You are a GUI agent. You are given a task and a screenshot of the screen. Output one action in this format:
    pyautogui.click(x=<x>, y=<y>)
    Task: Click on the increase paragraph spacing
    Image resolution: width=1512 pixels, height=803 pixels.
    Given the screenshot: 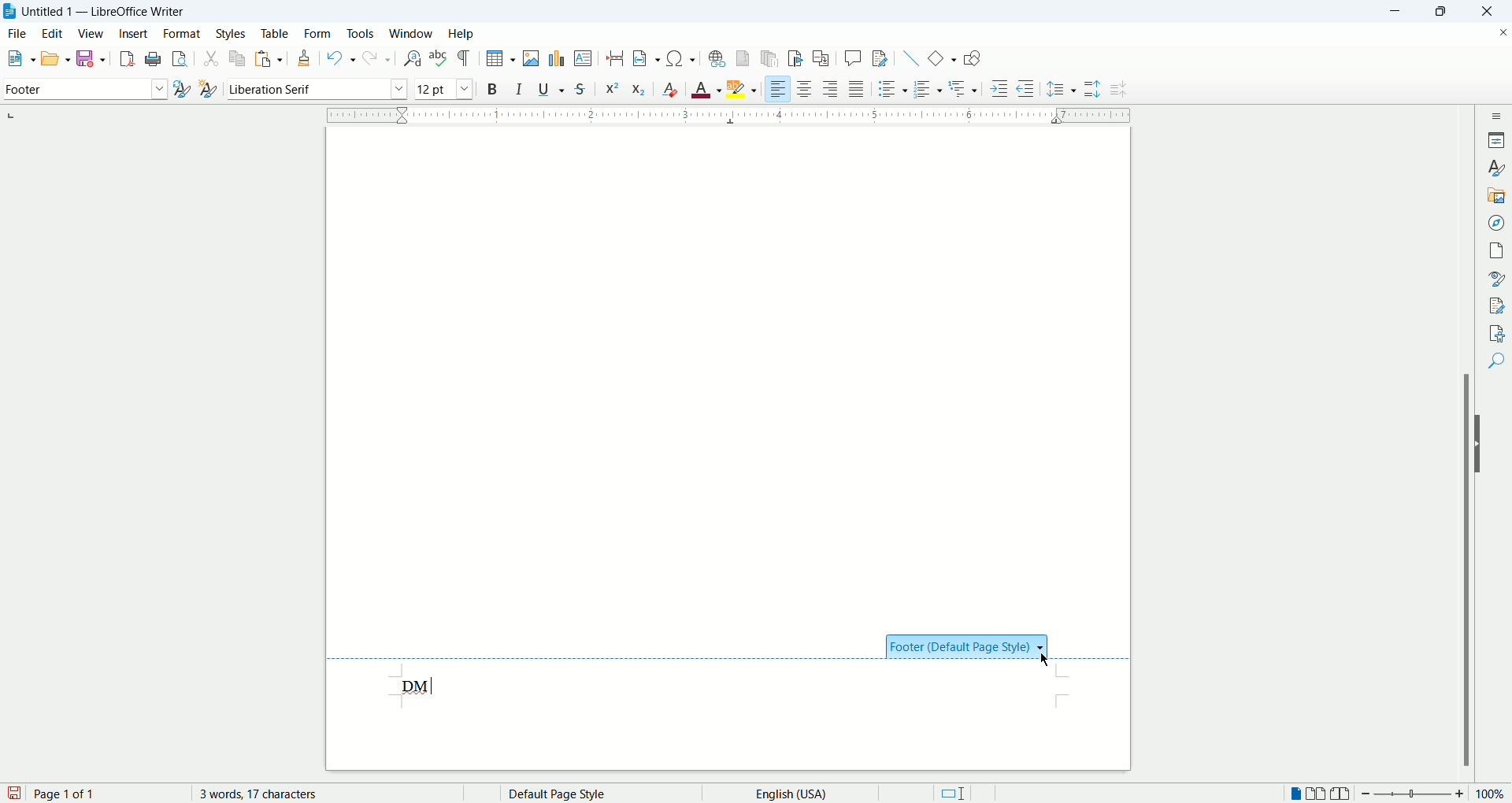 What is the action you would take?
    pyautogui.click(x=1092, y=90)
    